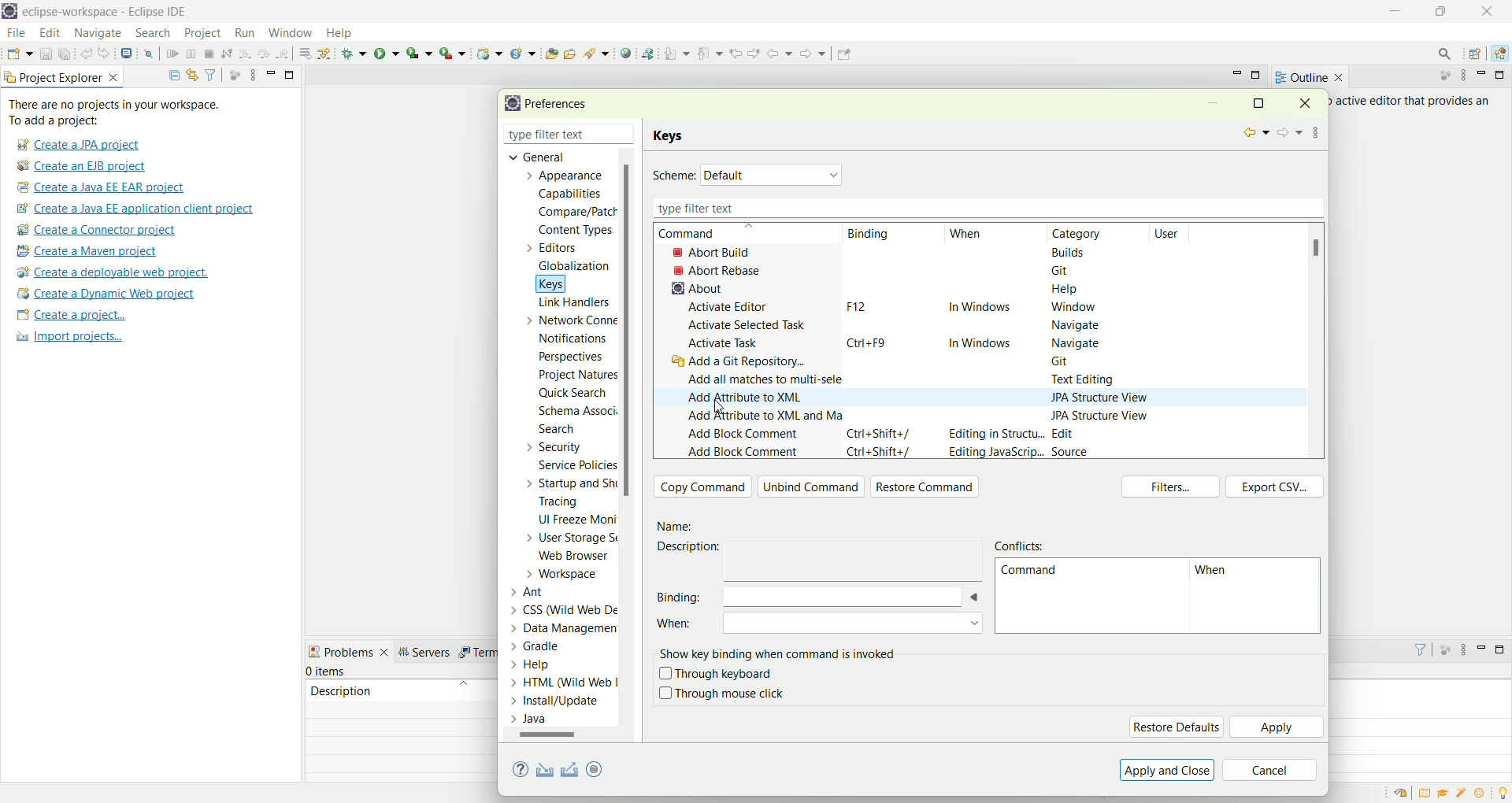 This screenshot has height=803, width=1512. What do you see at coordinates (354, 54) in the screenshot?
I see `debug` at bounding box center [354, 54].